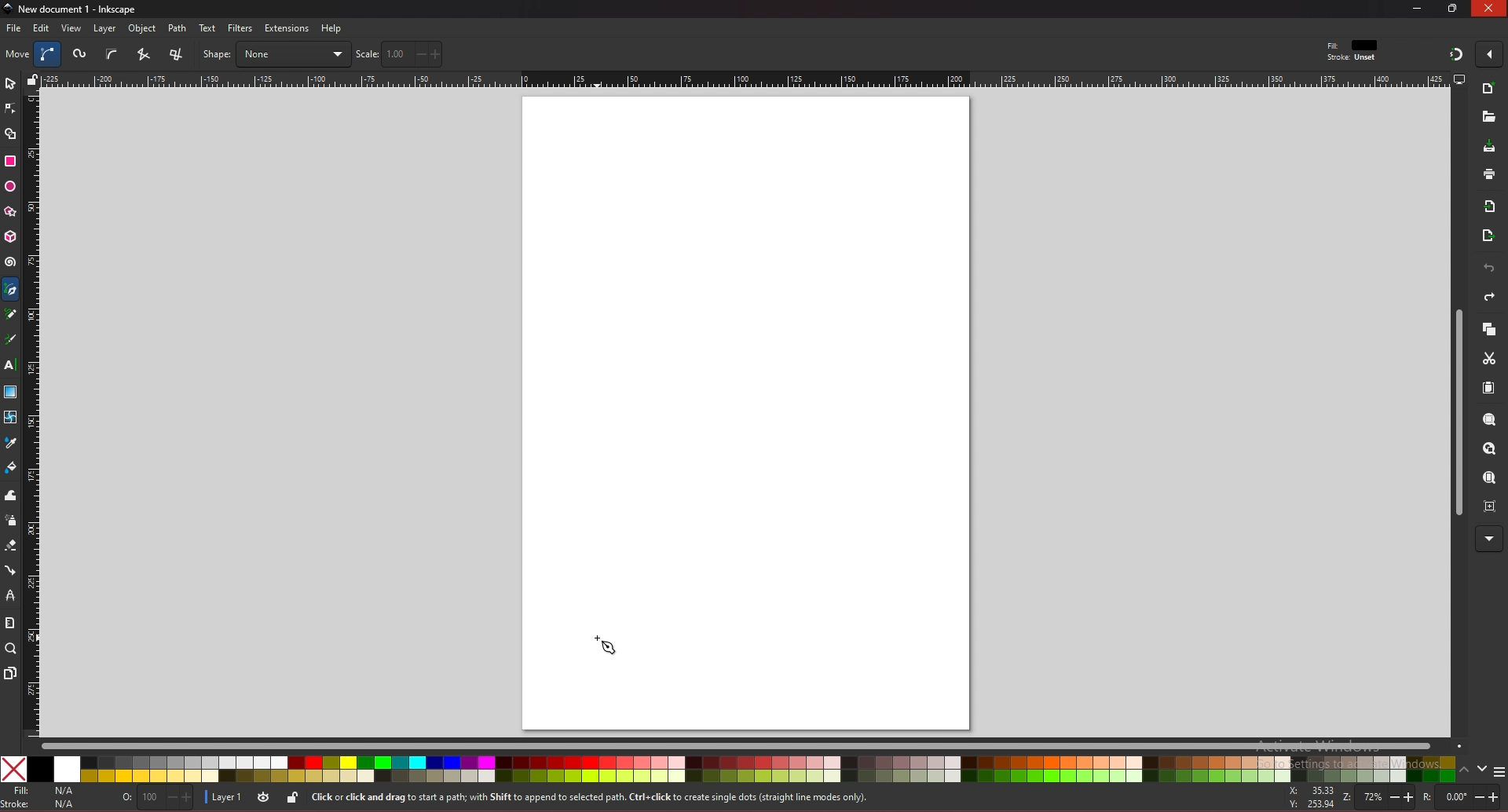 Image resolution: width=1508 pixels, height=812 pixels. I want to click on zoom centre page, so click(1492, 505).